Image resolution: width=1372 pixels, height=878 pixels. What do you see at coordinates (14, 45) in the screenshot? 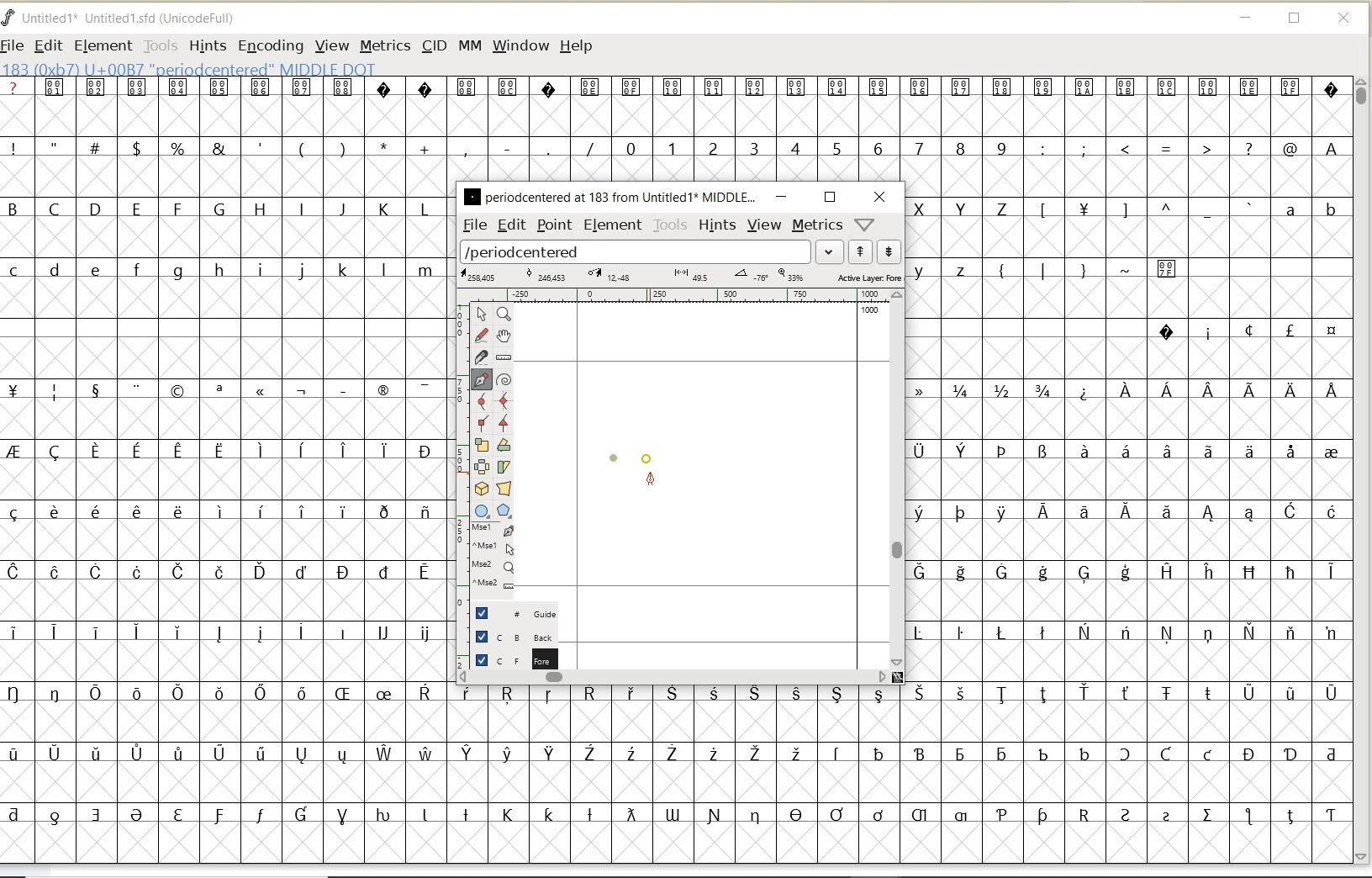
I see `FILE` at bounding box center [14, 45].